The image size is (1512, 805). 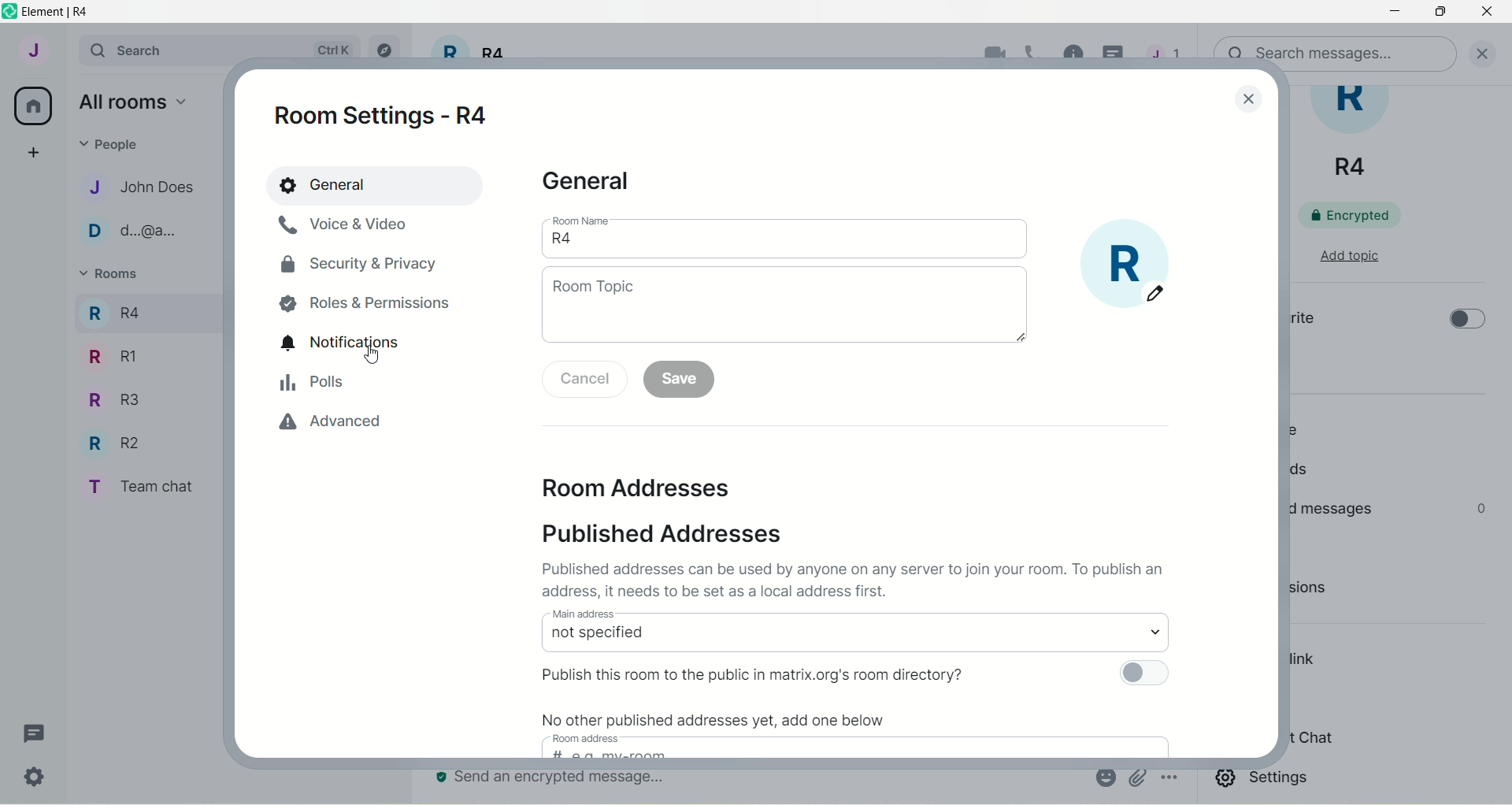 What do you see at coordinates (1443, 13) in the screenshot?
I see `maximize` at bounding box center [1443, 13].